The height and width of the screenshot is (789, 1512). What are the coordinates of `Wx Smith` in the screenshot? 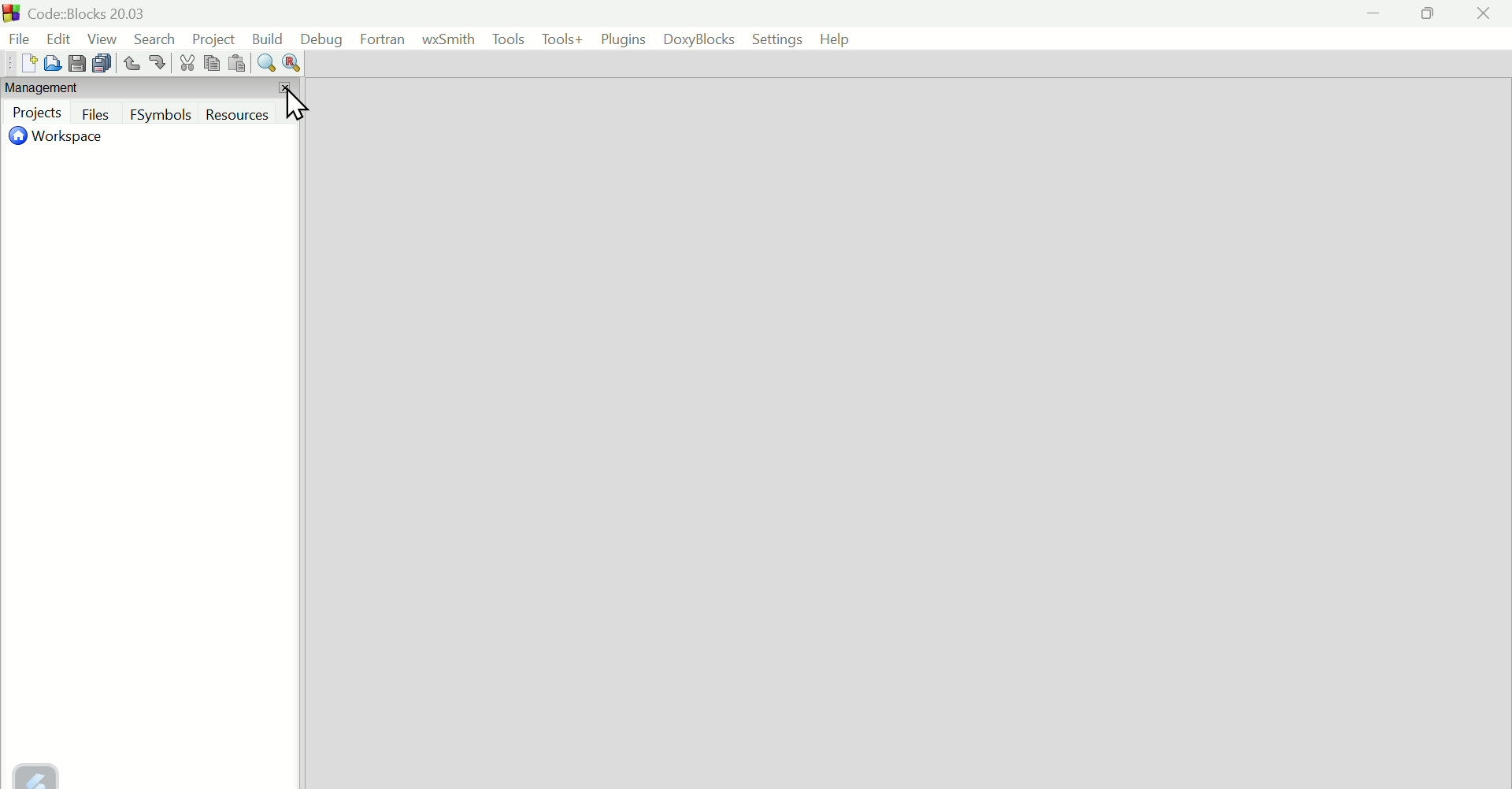 It's located at (447, 40).